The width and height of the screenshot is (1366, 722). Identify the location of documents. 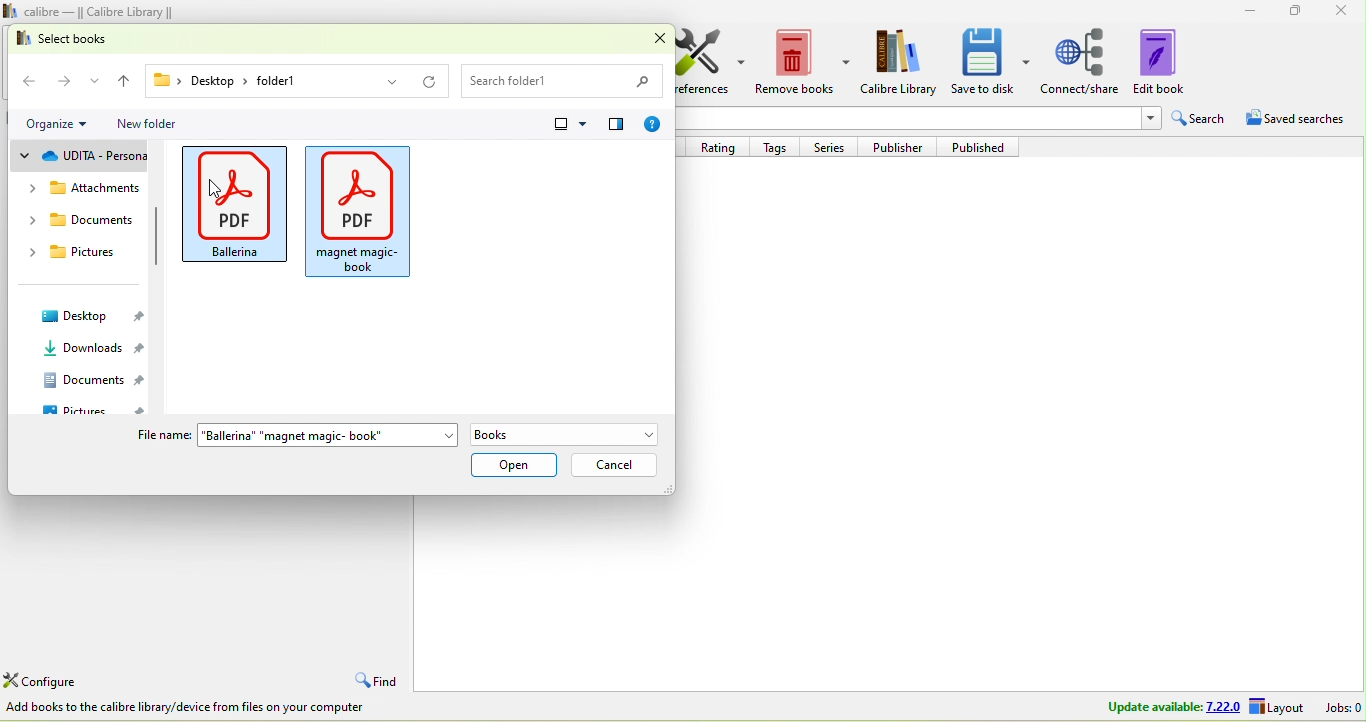
(91, 380).